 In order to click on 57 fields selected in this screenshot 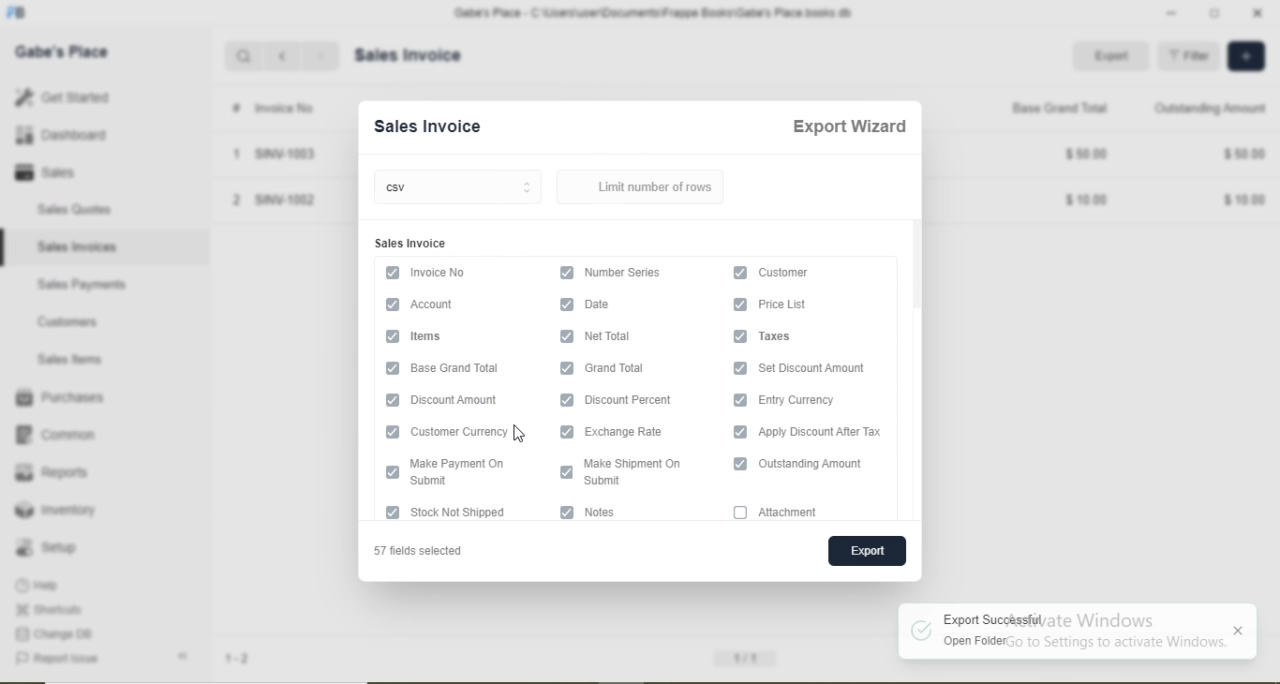, I will do `click(427, 552)`.